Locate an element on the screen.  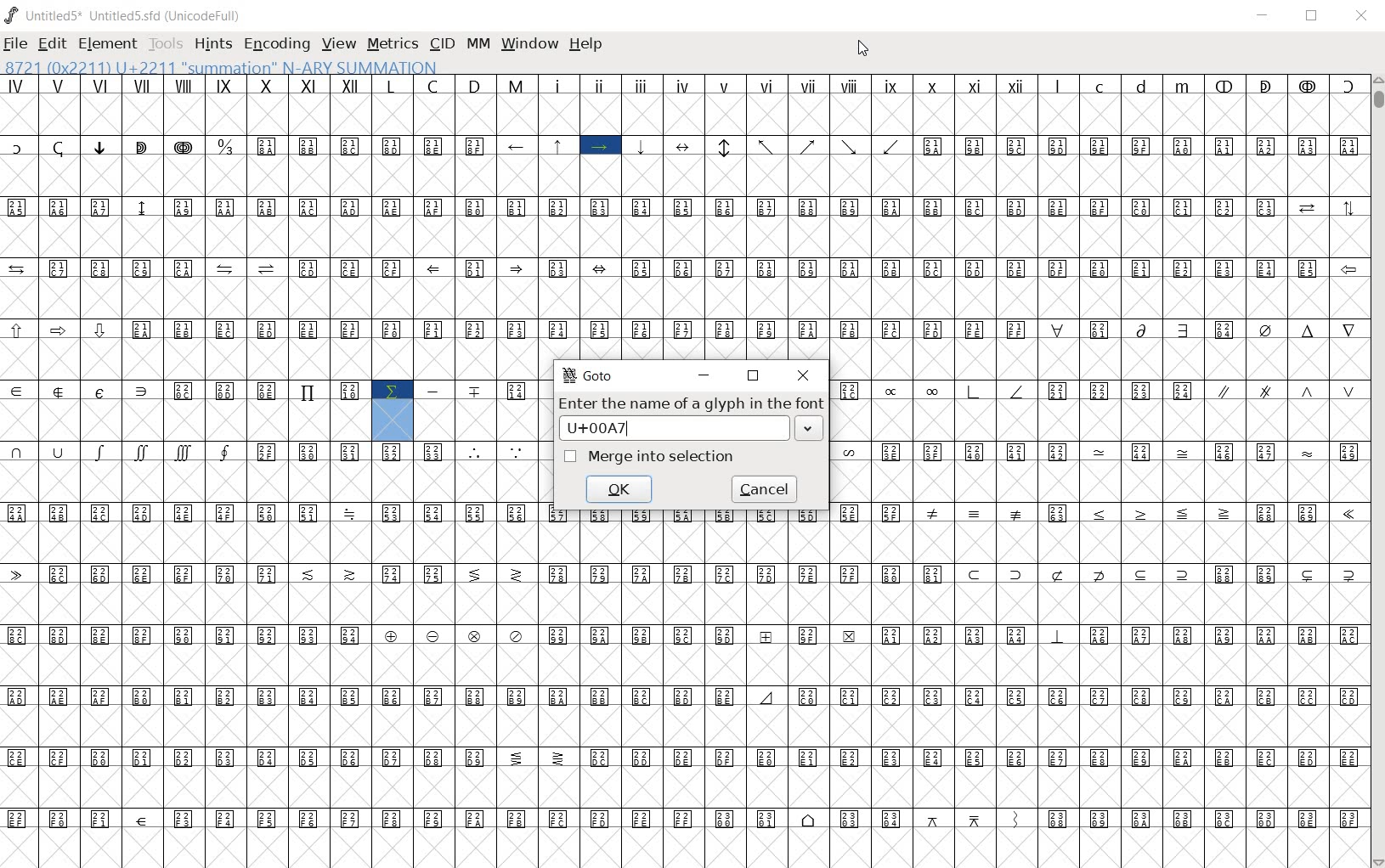
cancel is located at coordinates (761, 489).